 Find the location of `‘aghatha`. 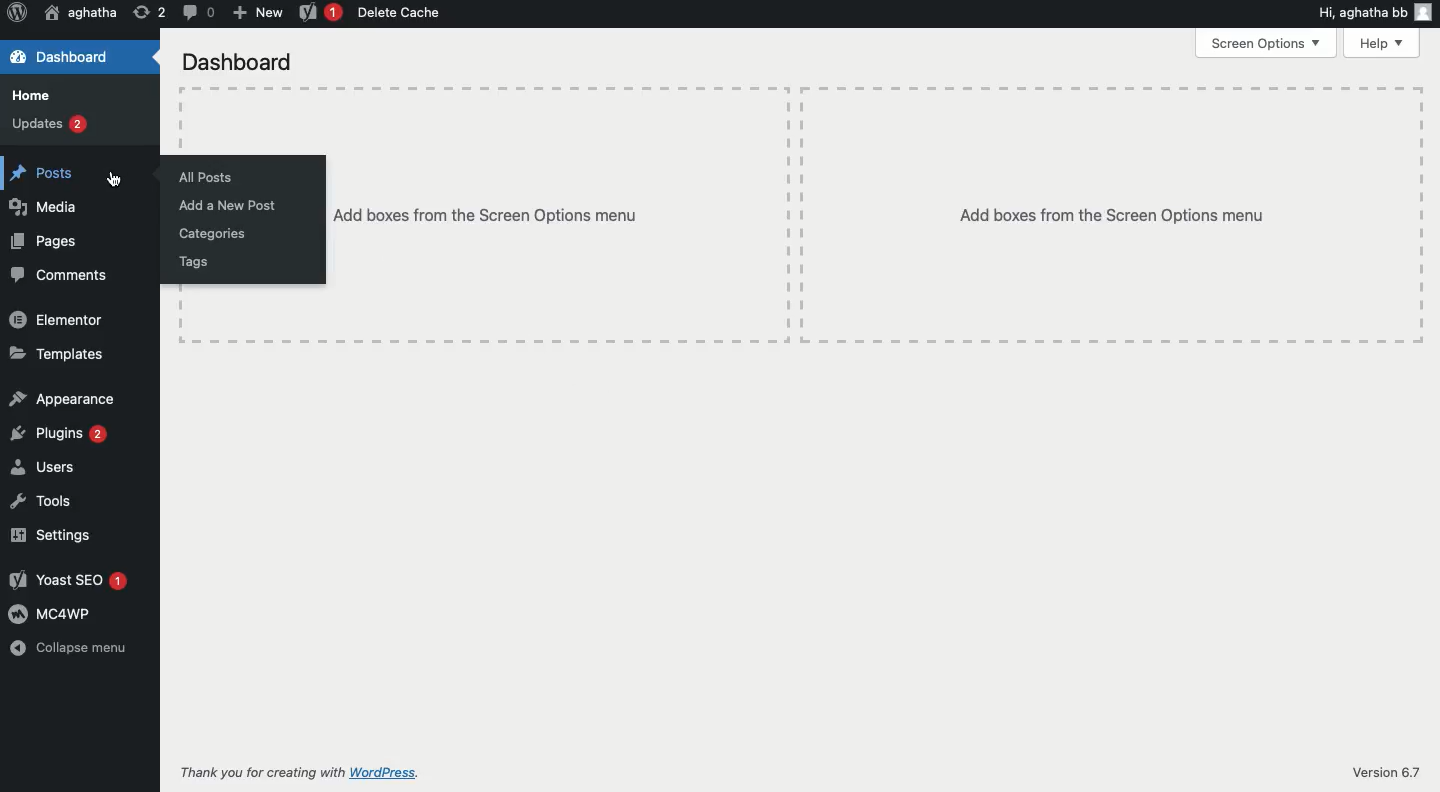

‘aghatha is located at coordinates (82, 13).